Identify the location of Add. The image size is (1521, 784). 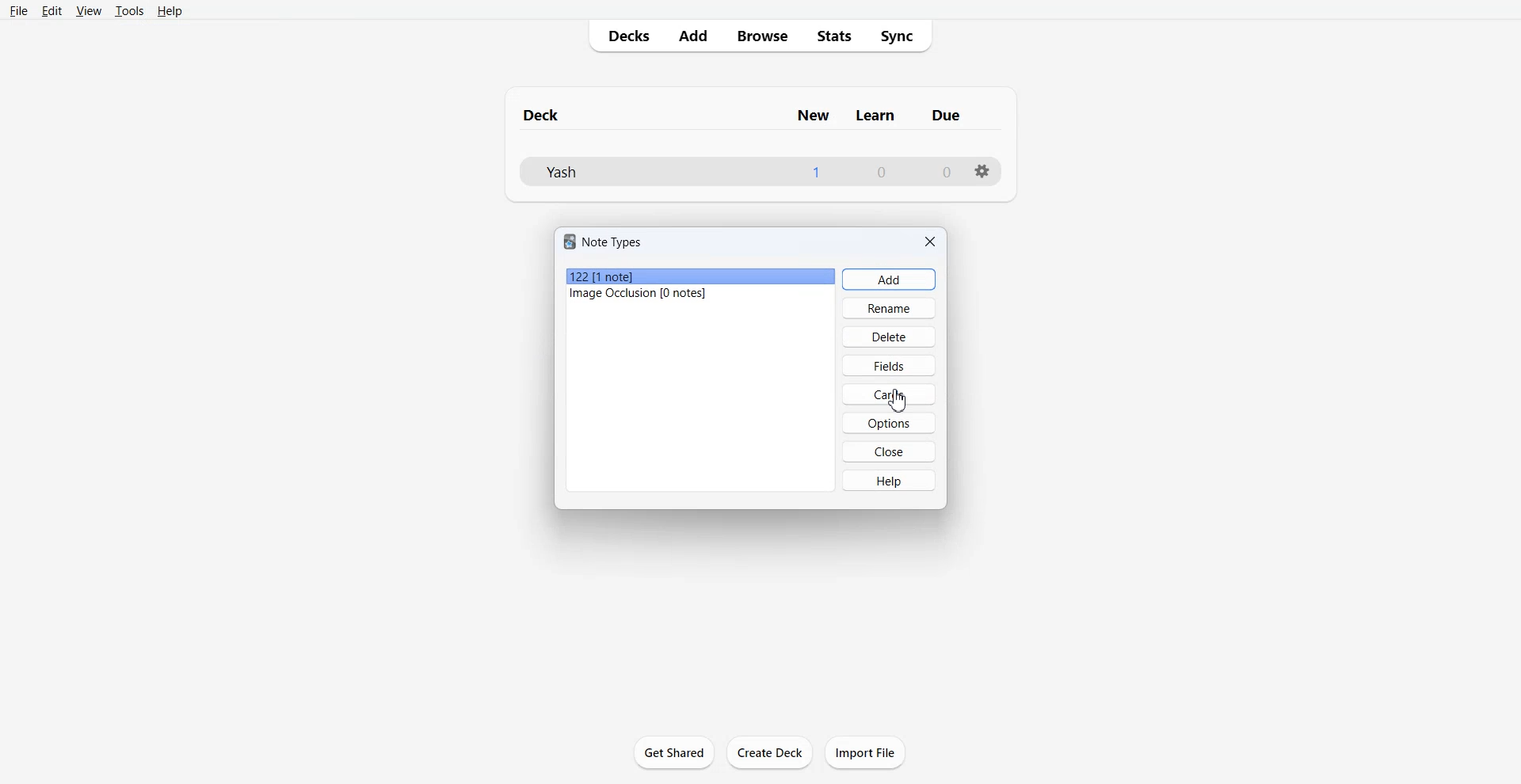
(692, 37).